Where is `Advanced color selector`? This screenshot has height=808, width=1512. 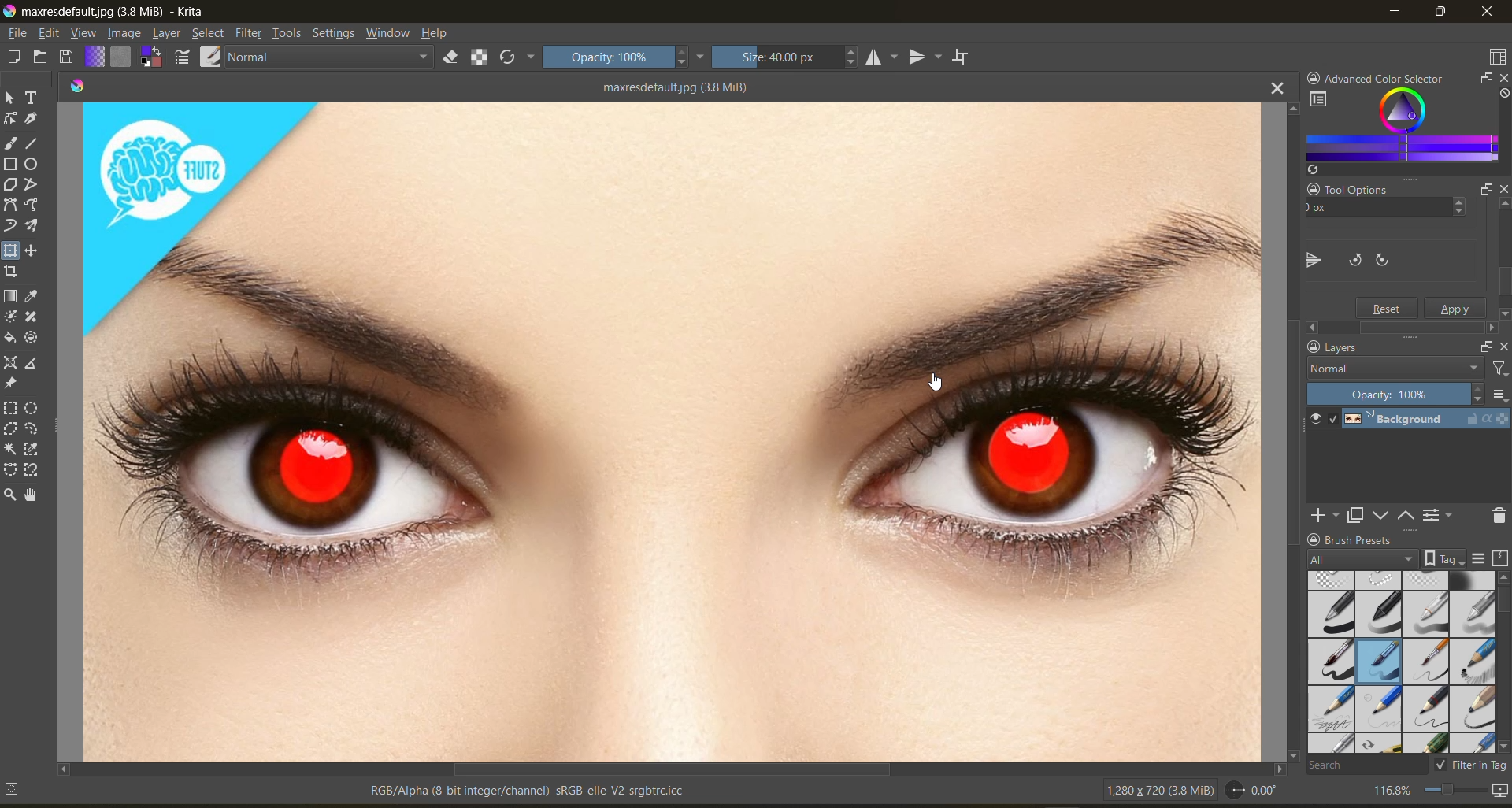 Advanced color selector is located at coordinates (1390, 75).